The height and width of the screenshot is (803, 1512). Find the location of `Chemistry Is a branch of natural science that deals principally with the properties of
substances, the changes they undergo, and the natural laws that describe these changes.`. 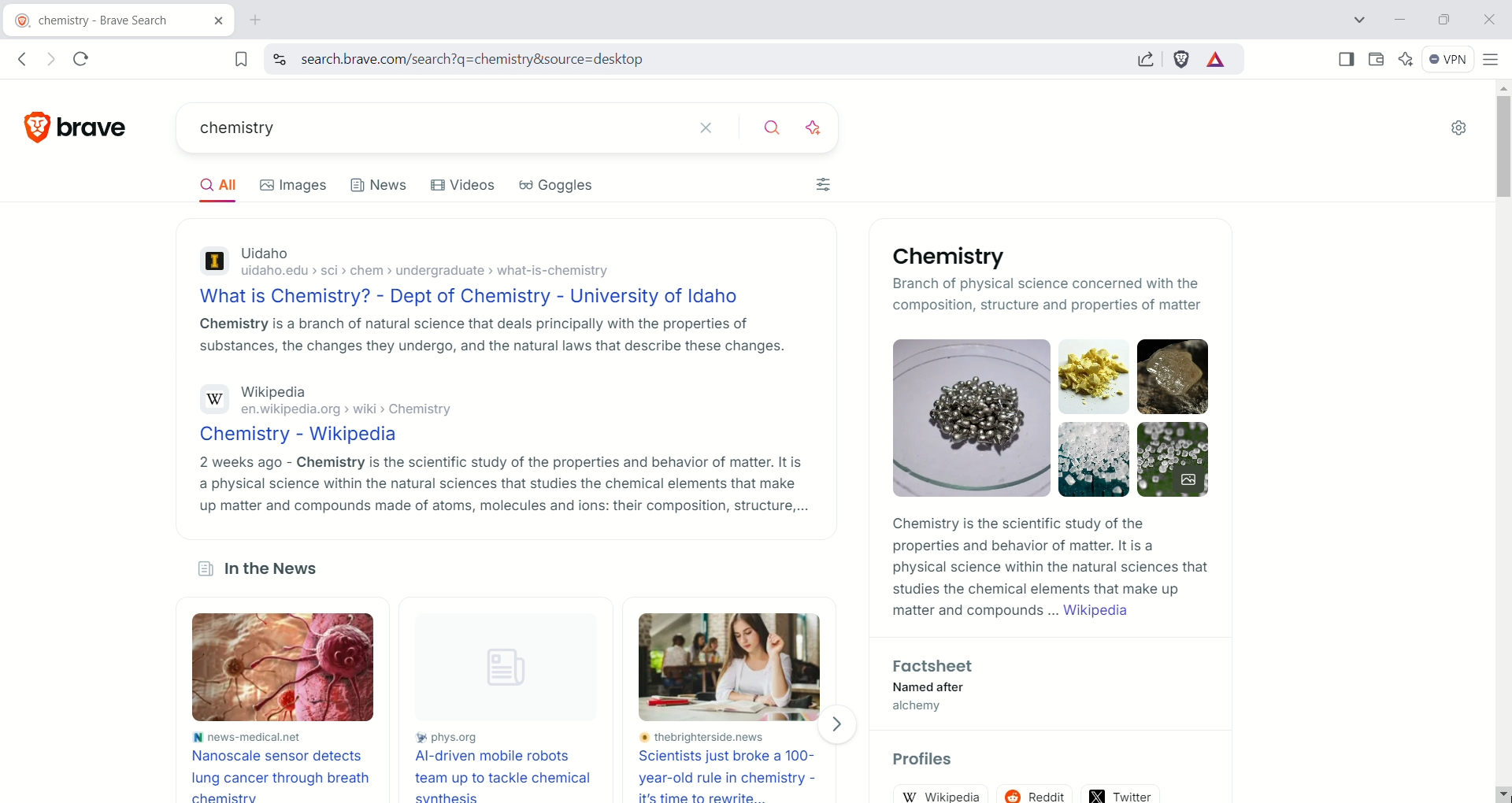

Chemistry Is a branch of natural science that deals principally with the properties of
substances, the changes they undergo, and the natural laws that describe these changes. is located at coordinates (491, 339).